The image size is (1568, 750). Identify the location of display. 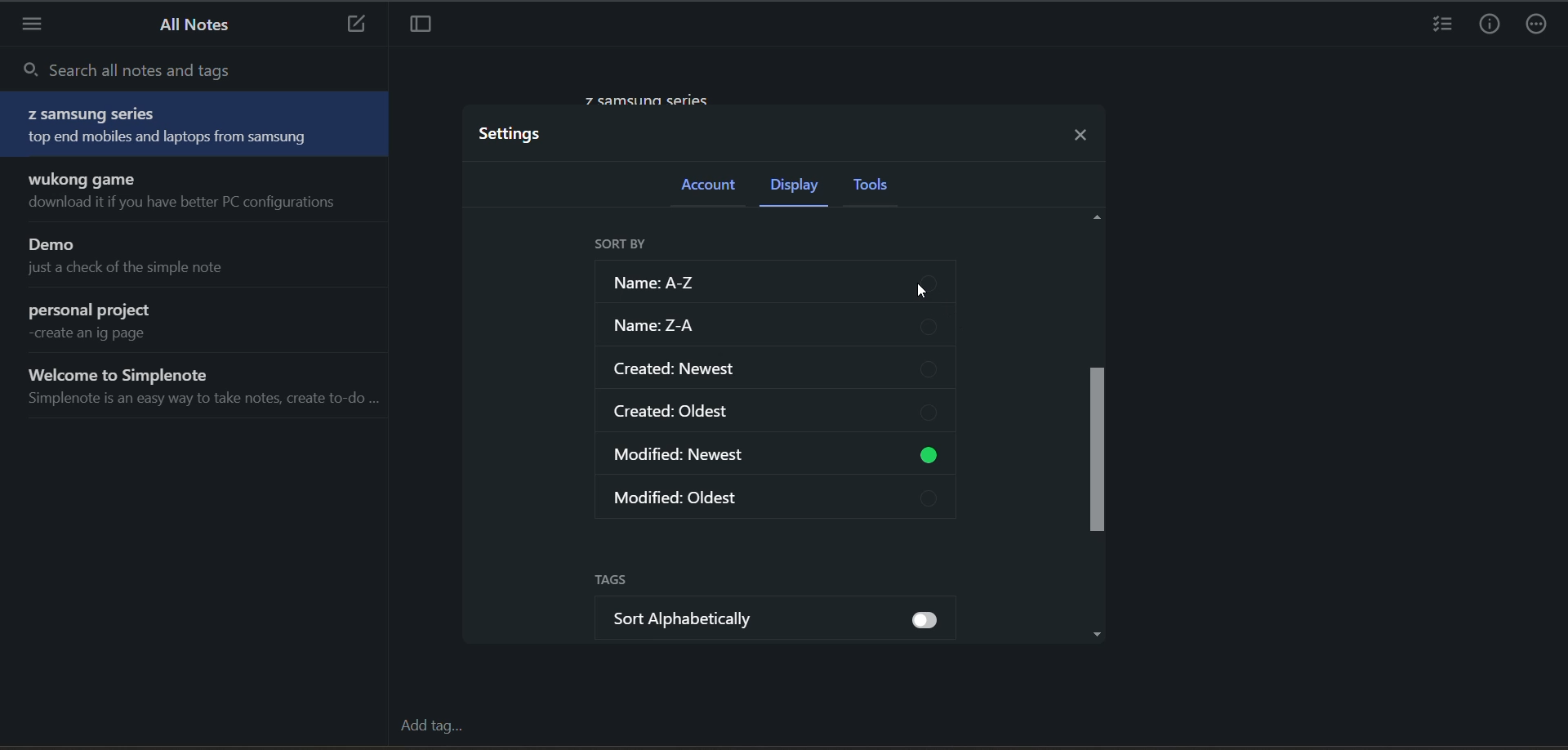
(803, 185).